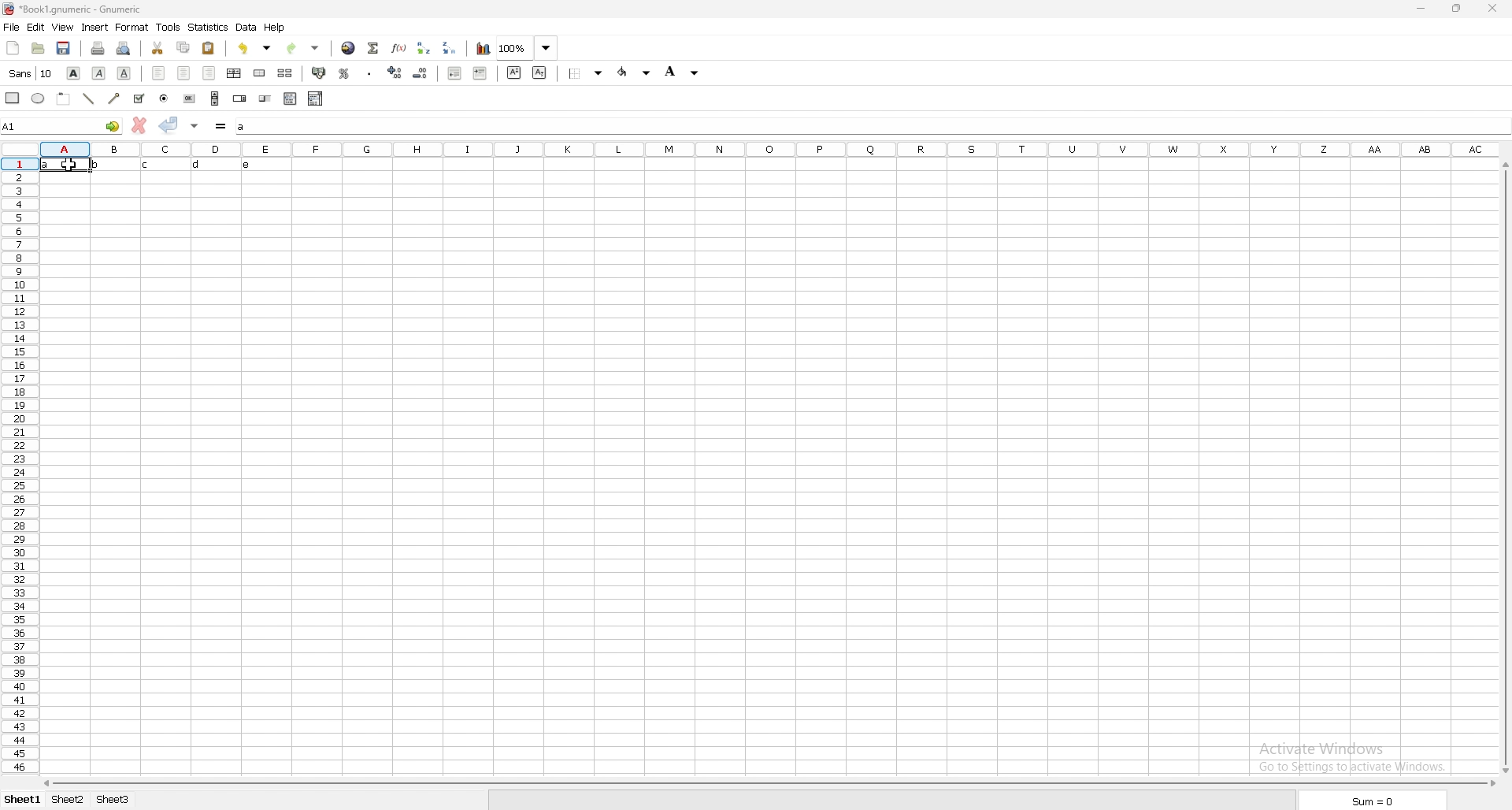 This screenshot has width=1512, height=810. I want to click on scroll bar, so click(1504, 470).